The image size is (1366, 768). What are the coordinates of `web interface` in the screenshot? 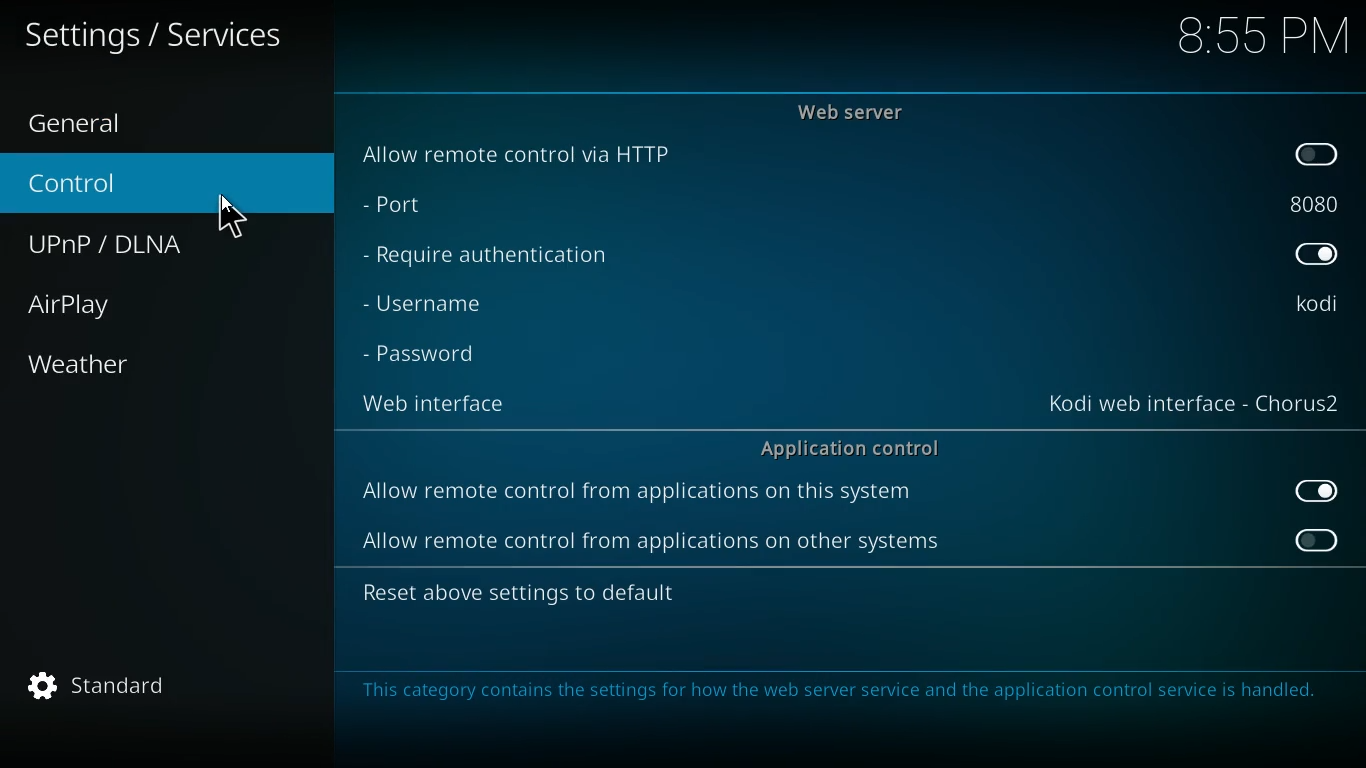 It's located at (445, 404).